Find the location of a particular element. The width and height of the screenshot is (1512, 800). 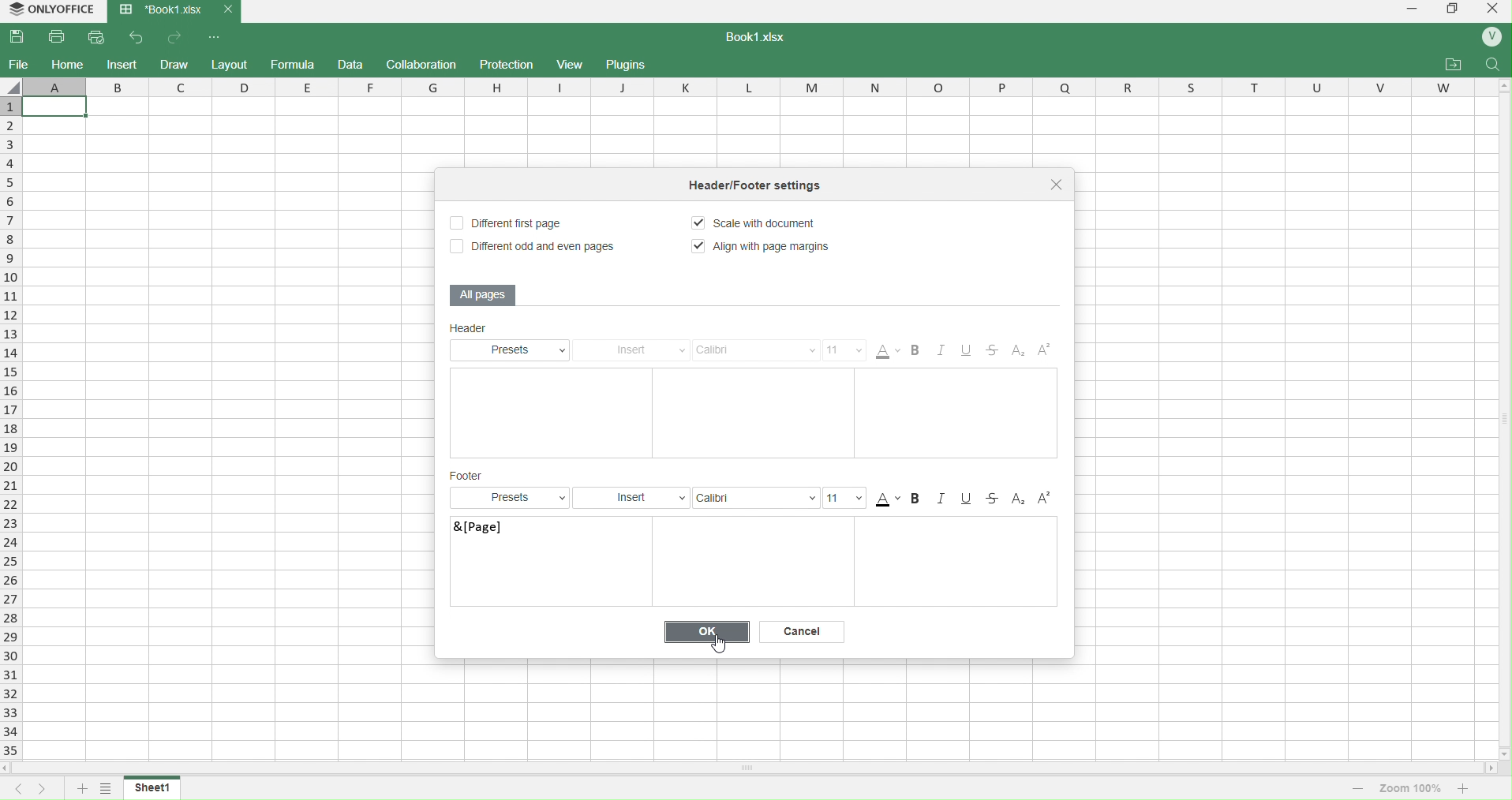

Presets is located at coordinates (515, 350).